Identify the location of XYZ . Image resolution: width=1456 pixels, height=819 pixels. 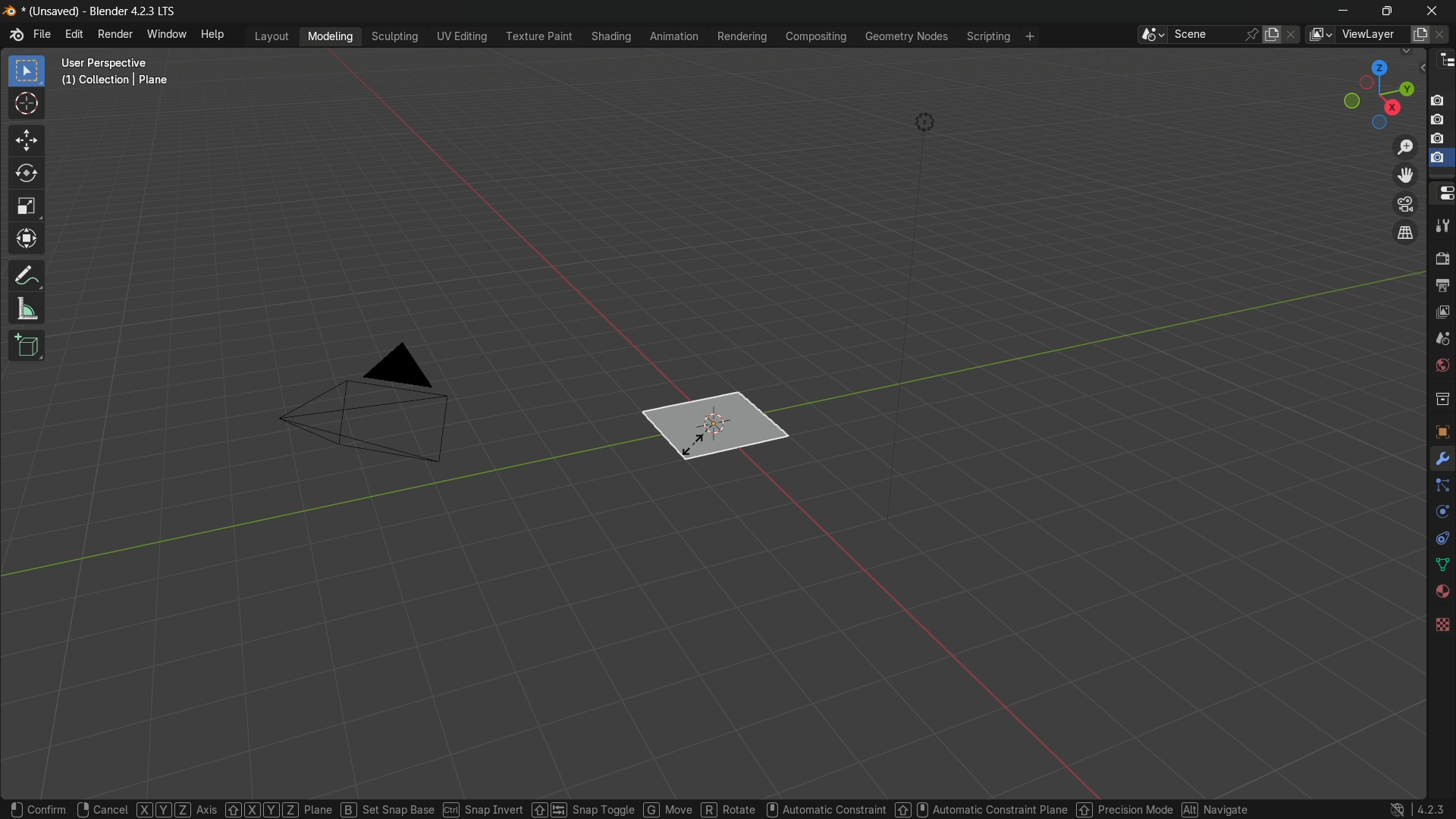
(259, 805).